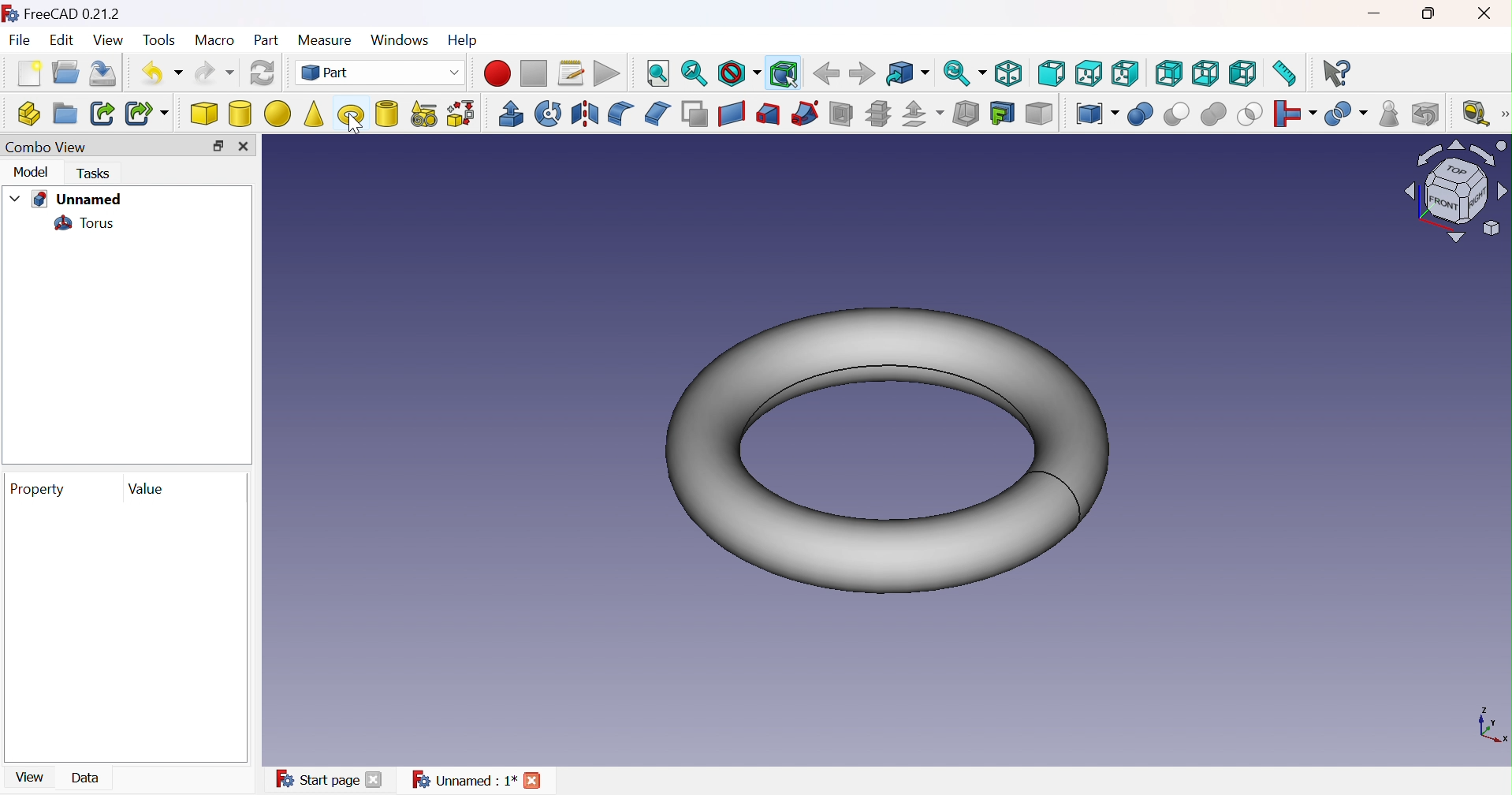 The image size is (1512, 795). What do you see at coordinates (63, 42) in the screenshot?
I see `Edit` at bounding box center [63, 42].